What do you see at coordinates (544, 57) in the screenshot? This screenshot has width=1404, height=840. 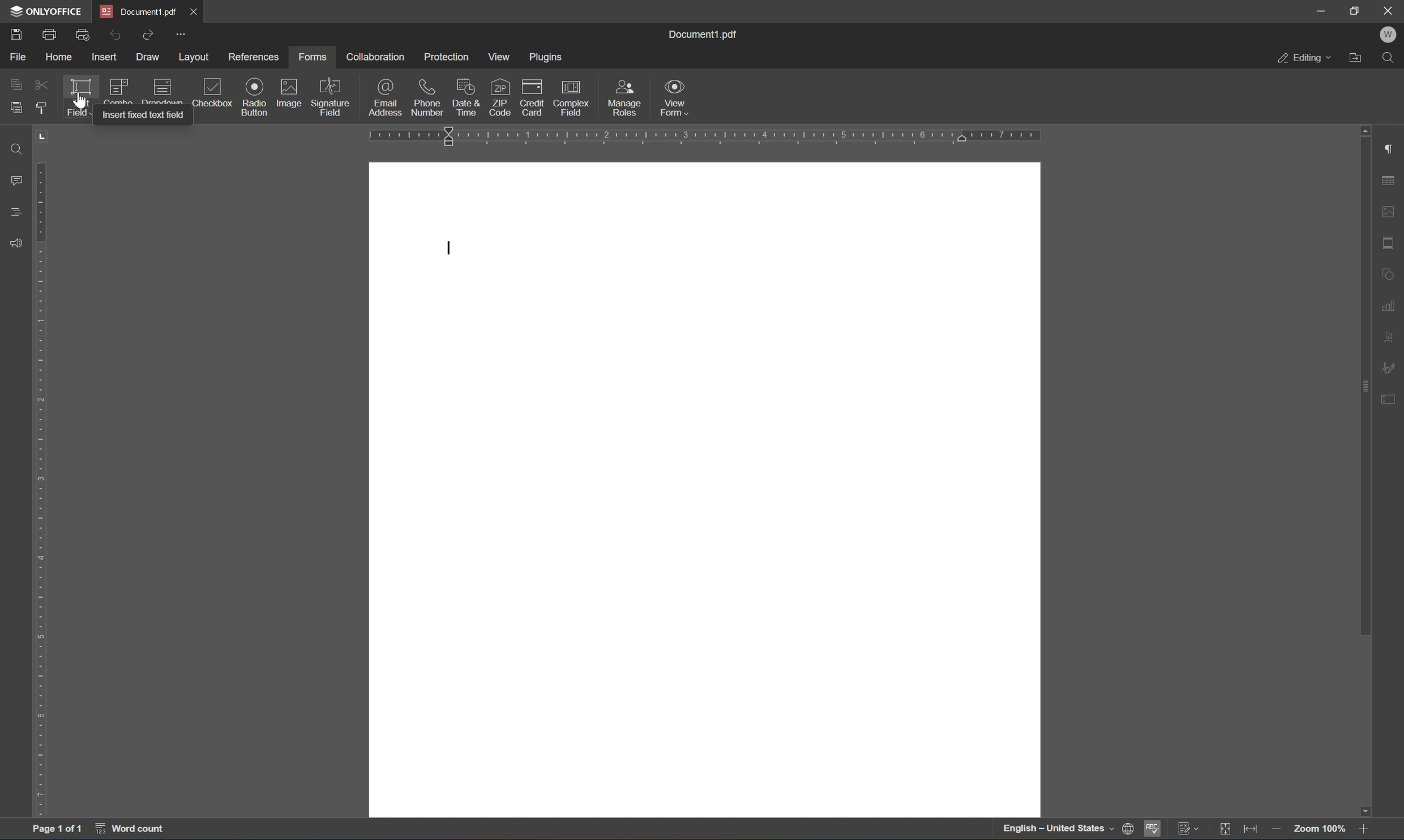 I see `plugins` at bounding box center [544, 57].